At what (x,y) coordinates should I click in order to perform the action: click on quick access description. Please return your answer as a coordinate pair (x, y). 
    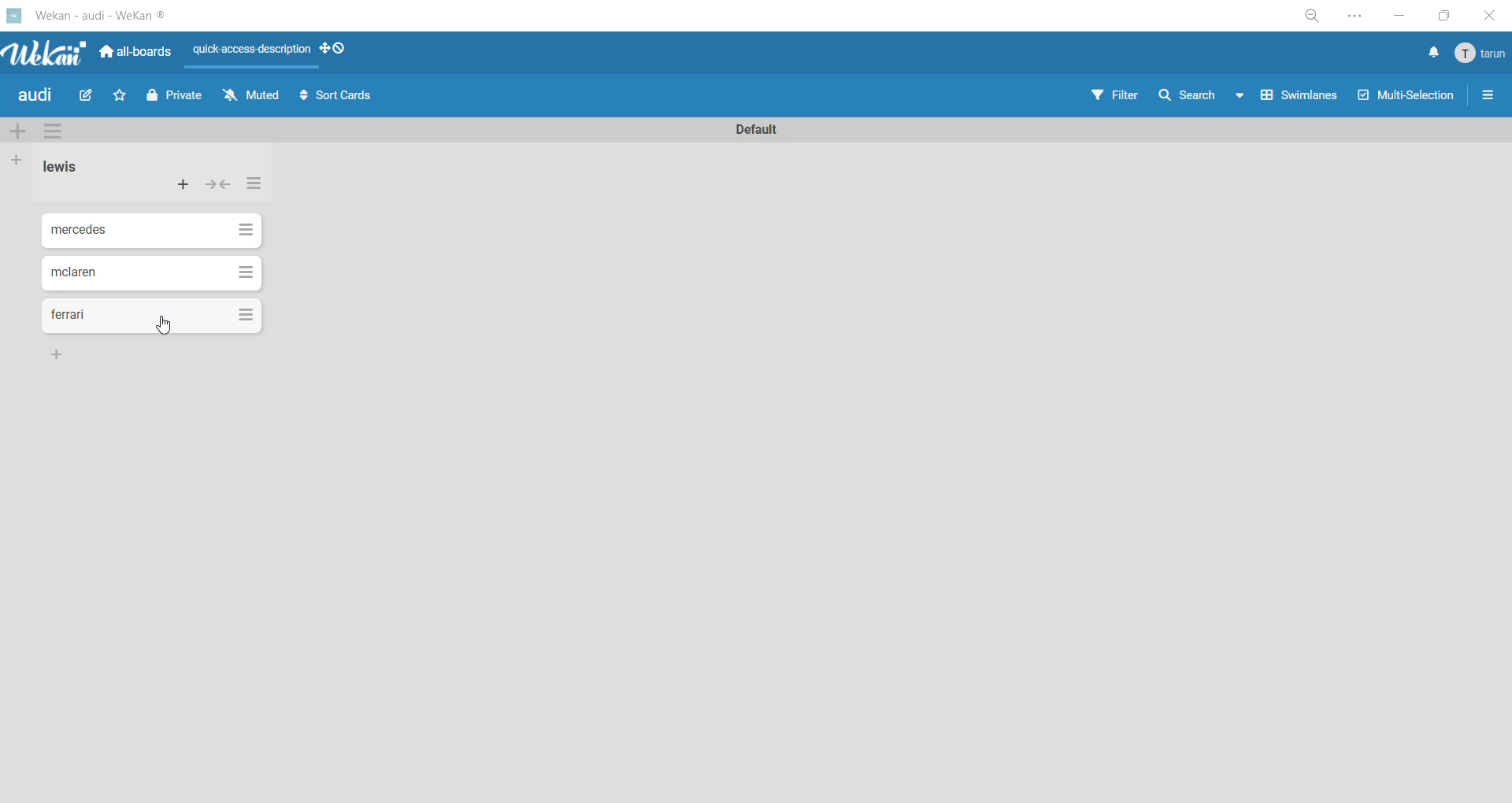
    Looking at the image, I should click on (254, 52).